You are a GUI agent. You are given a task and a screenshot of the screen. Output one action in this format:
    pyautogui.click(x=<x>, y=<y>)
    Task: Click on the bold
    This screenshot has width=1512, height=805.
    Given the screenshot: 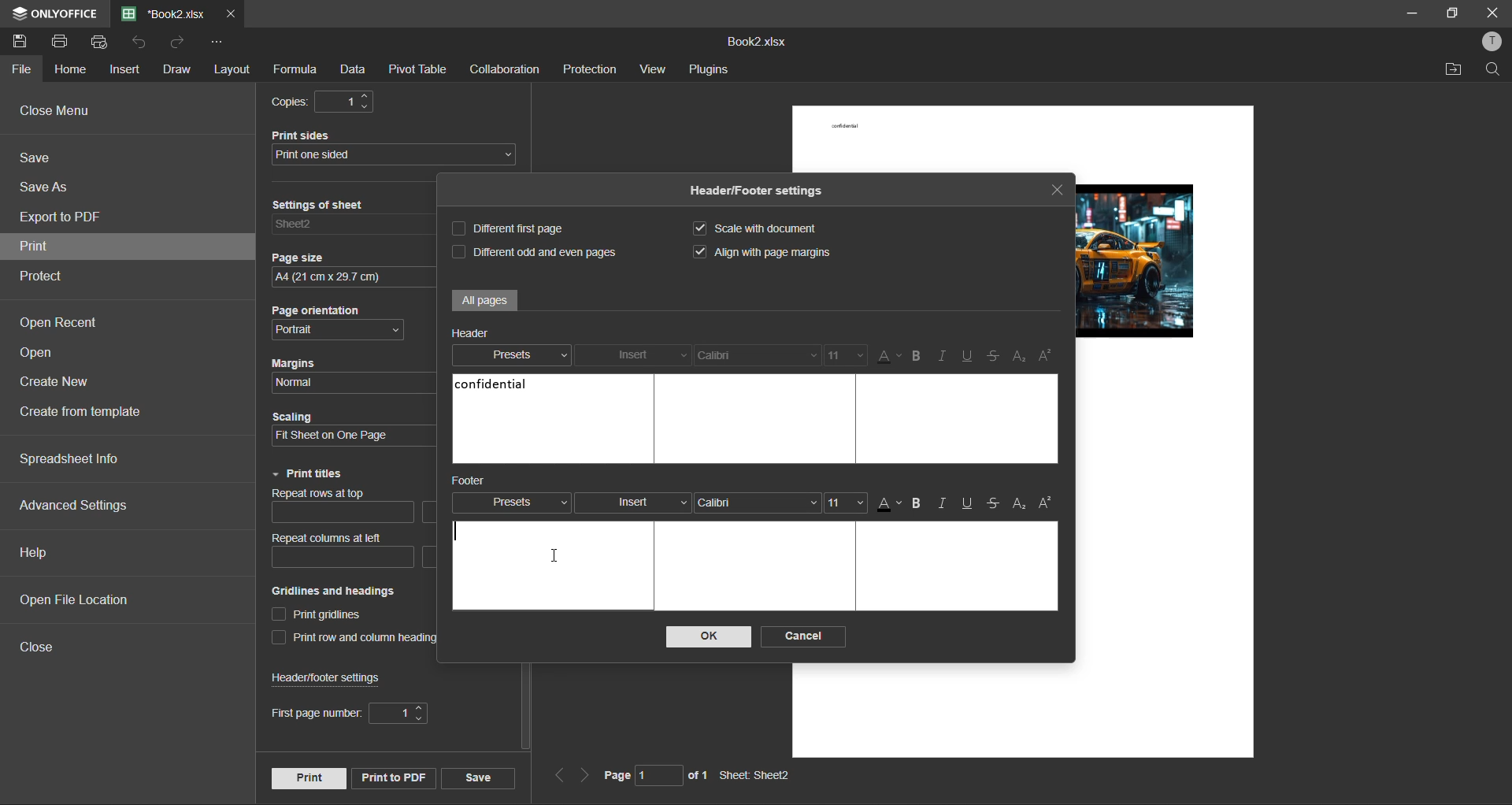 What is the action you would take?
    pyautogui.click(x=918, y=356)
    